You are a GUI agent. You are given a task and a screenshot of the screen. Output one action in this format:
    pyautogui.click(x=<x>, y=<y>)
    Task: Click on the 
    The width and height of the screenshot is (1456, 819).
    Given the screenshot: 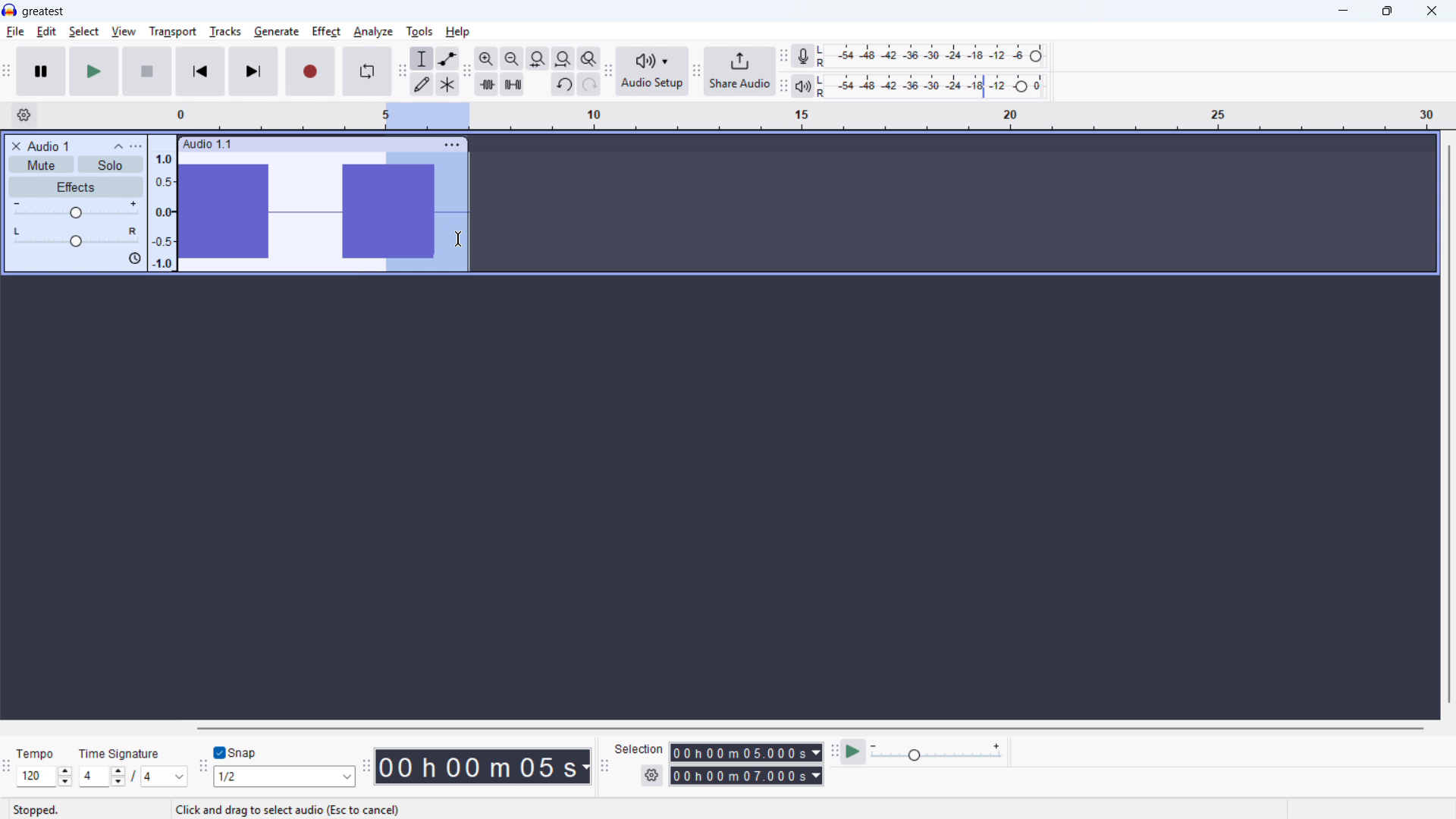 What is the action you would take?
    pyautogui.click(x=35, y=755)
    